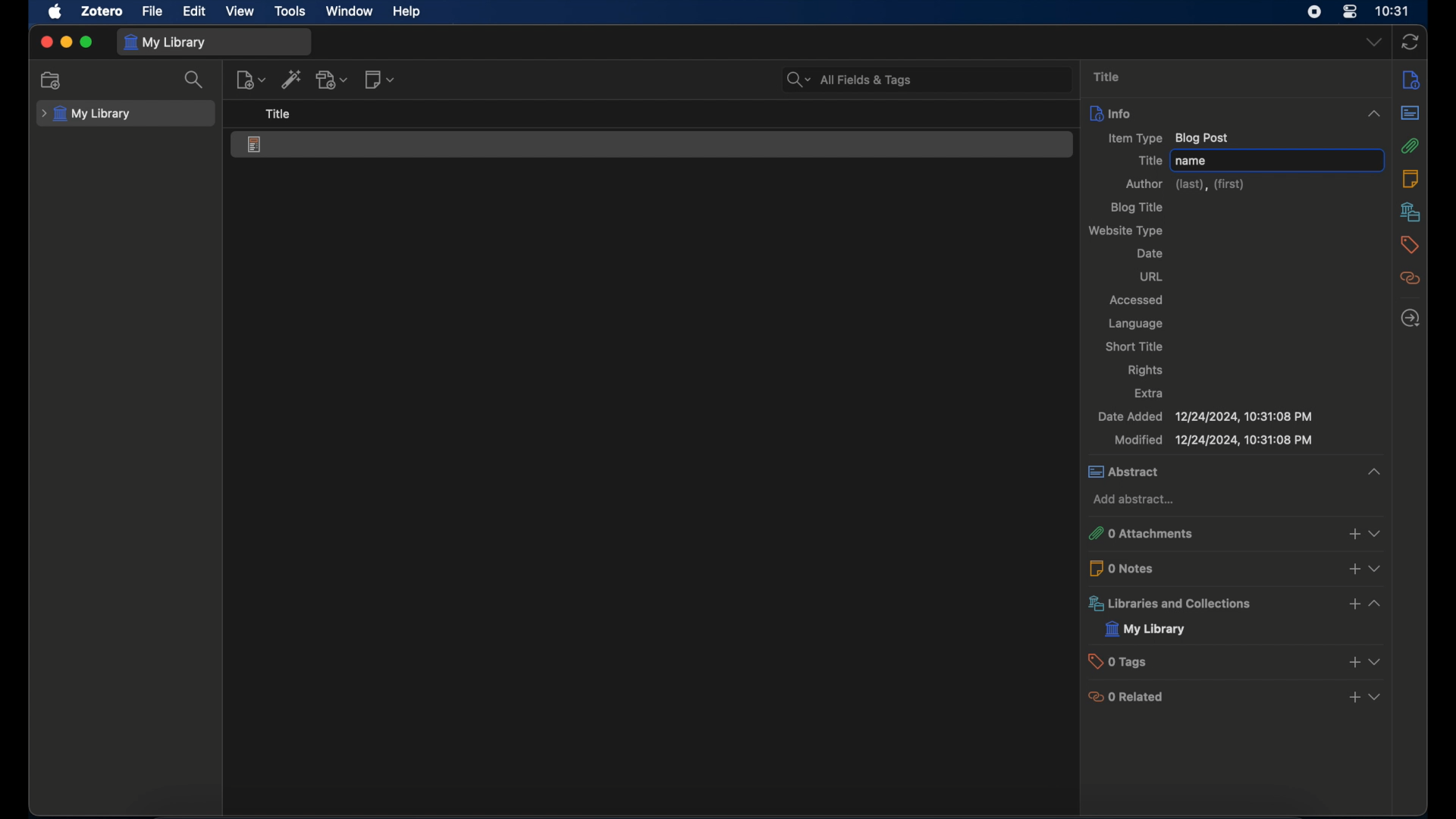 This screenshot has height=819, width=1456. Describe the element at coordinates (251, 80) in the screenshot. I see `new item` at that location.